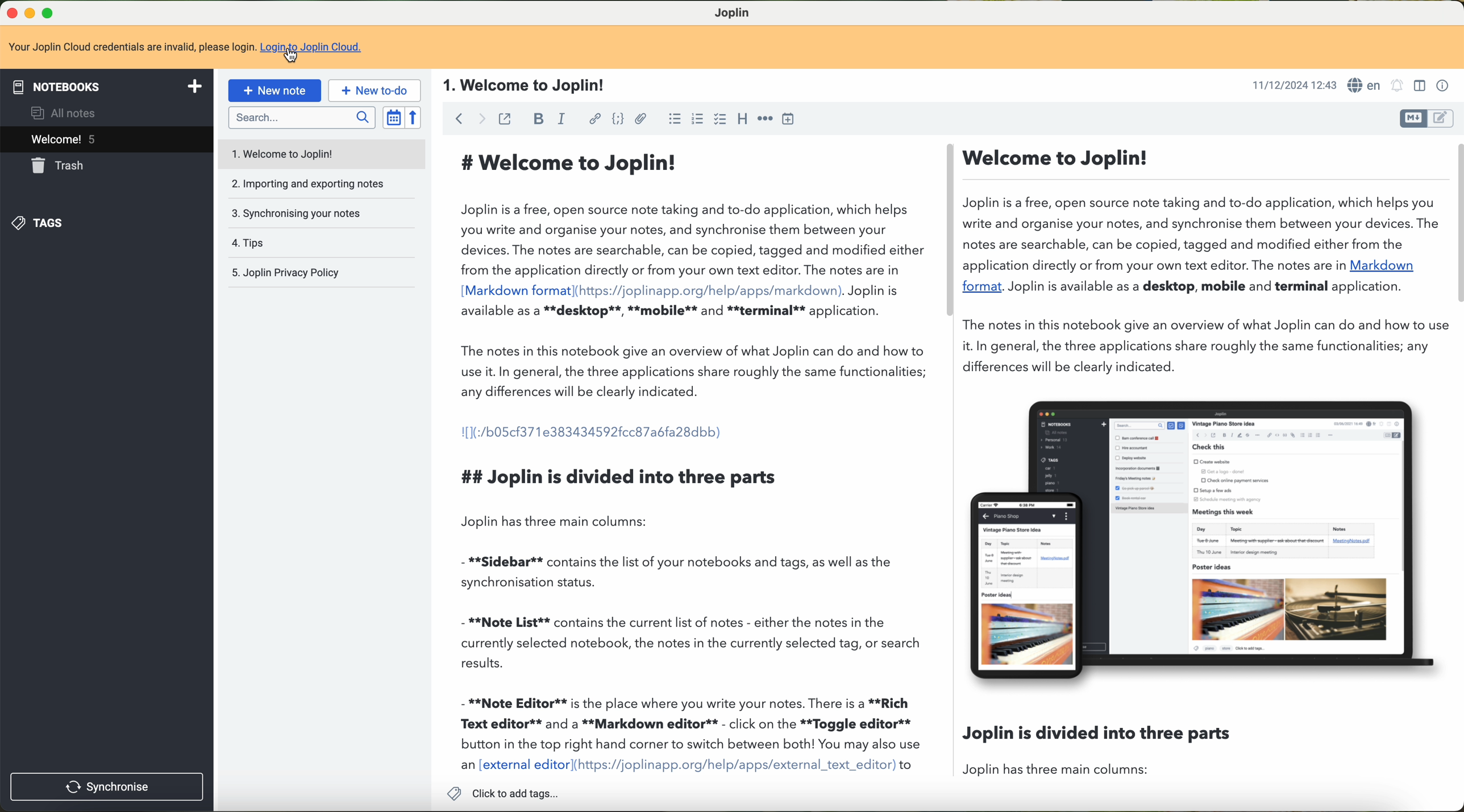 This screenshot has width=1464, height=812. Describe the element at coordinates (698, 119) in the screenshot. I see `numbered list` at that location.